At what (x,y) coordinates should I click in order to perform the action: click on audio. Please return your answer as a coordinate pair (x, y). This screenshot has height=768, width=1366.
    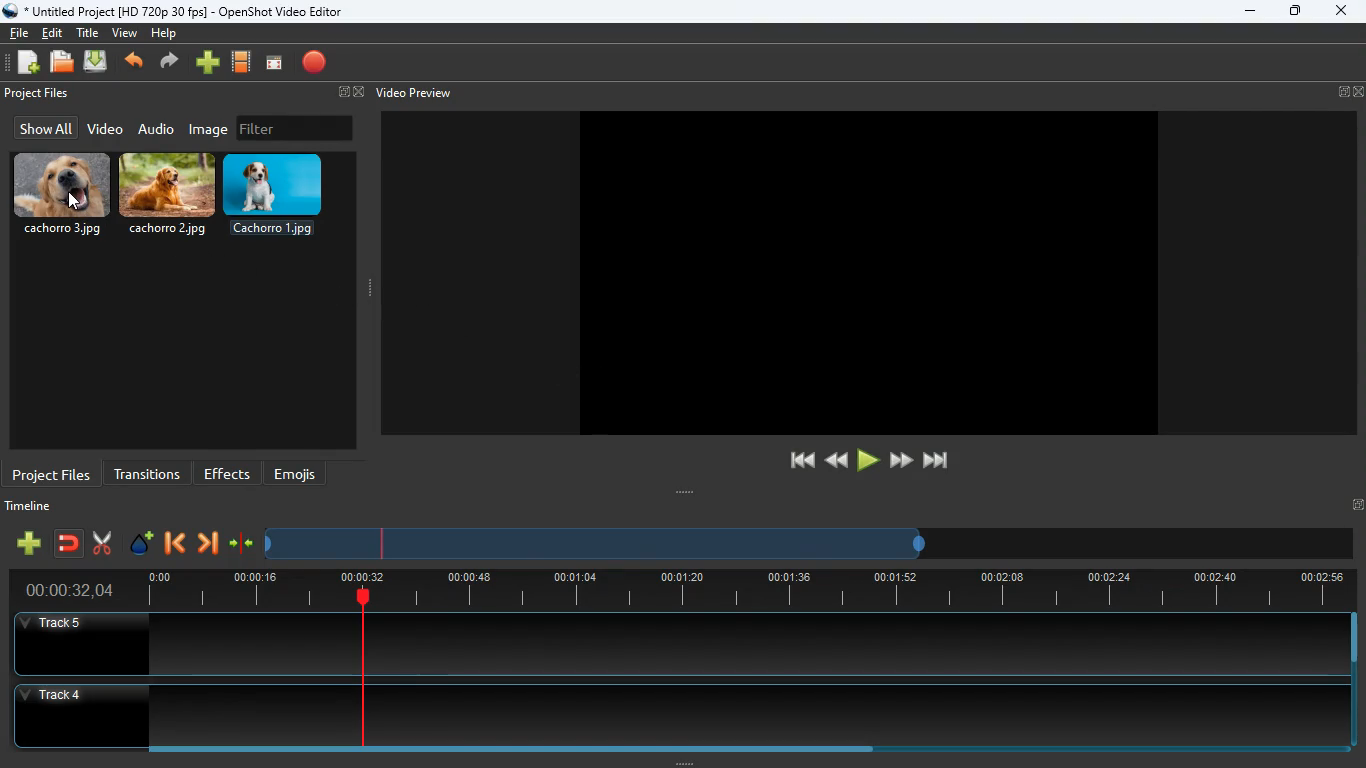
    Looking at the image, I should click on (157, 128).